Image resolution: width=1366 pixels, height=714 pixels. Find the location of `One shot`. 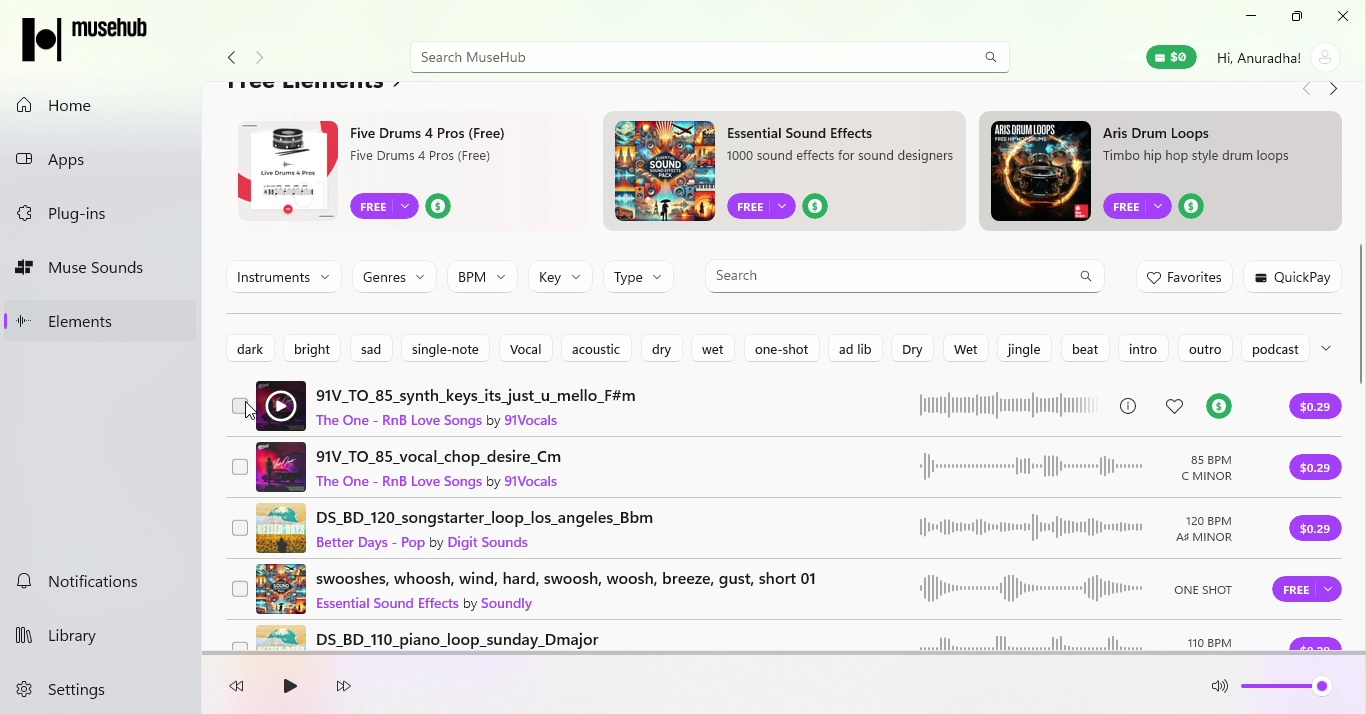

One shot is located at coordinates (781, 348).